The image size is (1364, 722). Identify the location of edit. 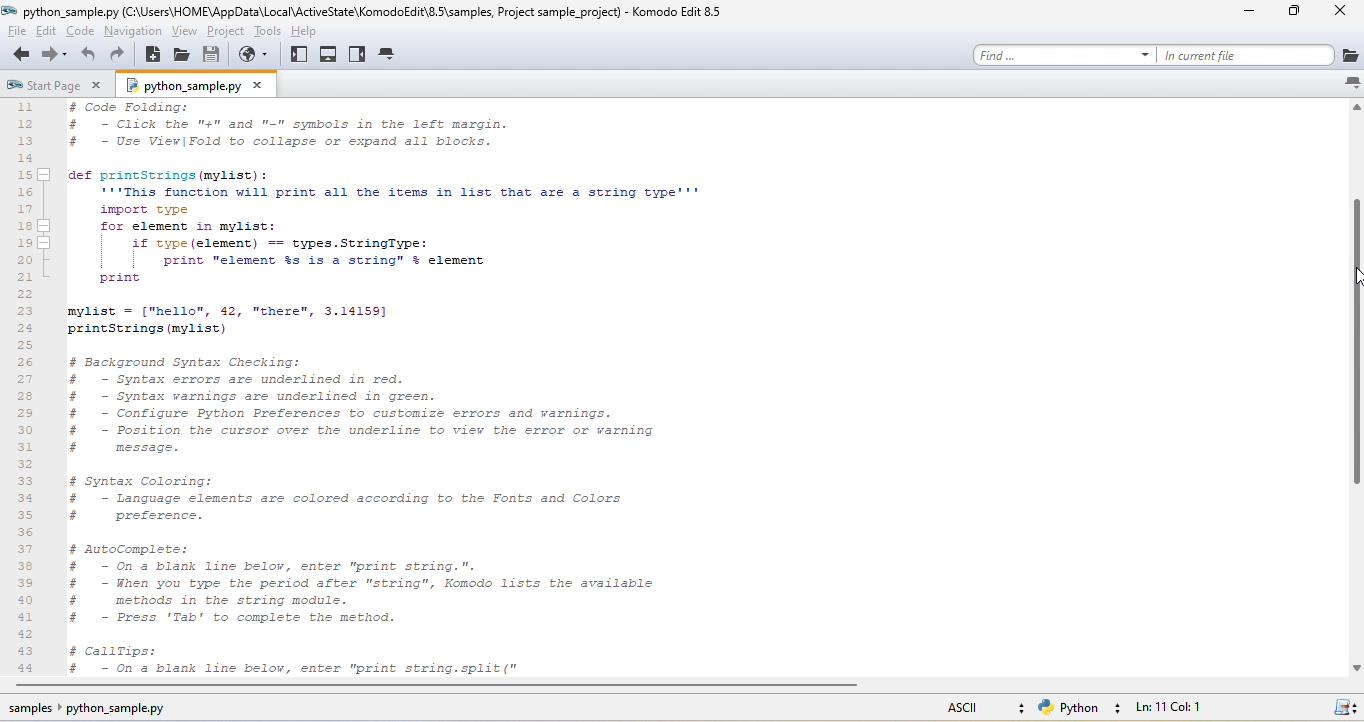
(49, 31).